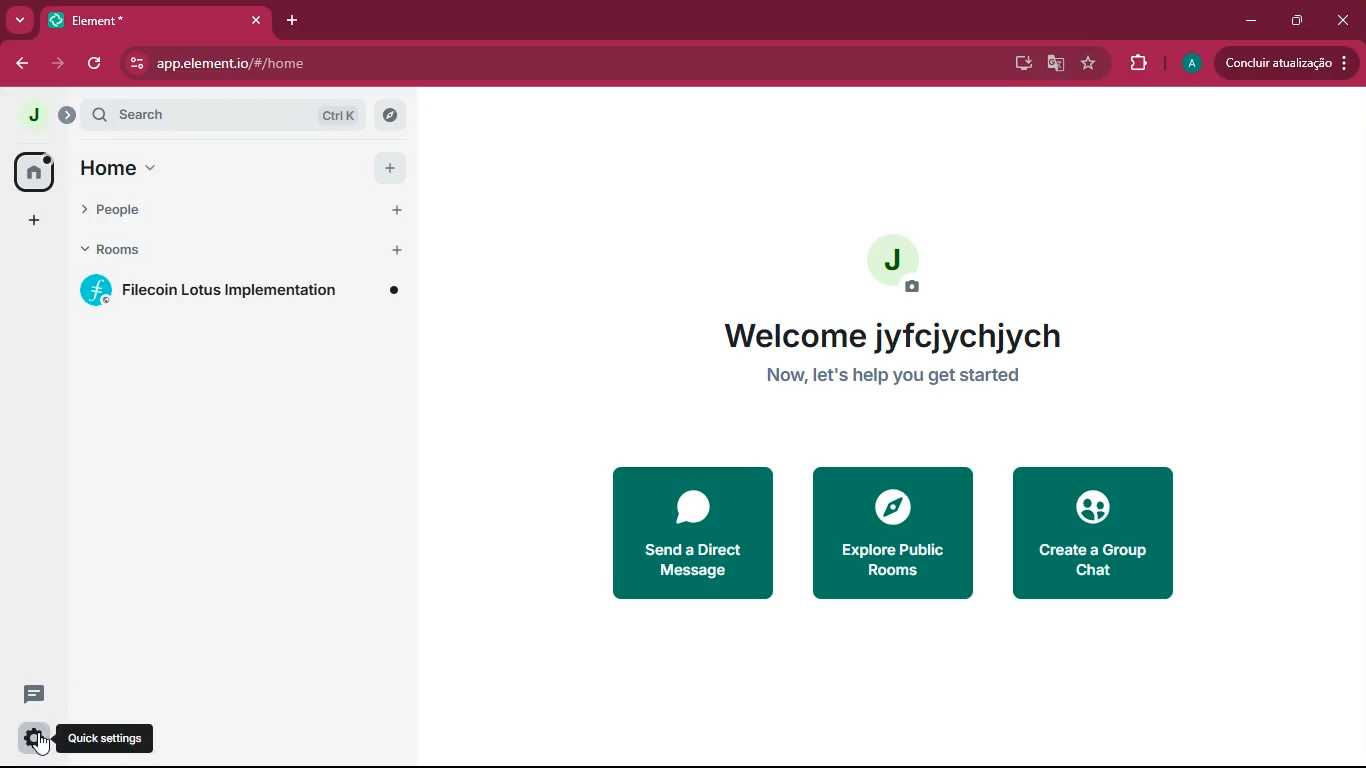 The height and width of the screenshot is (768, 1366). Describe the element at coordinates (35, 739) in the screenshot. I see `quick settings` at that location.